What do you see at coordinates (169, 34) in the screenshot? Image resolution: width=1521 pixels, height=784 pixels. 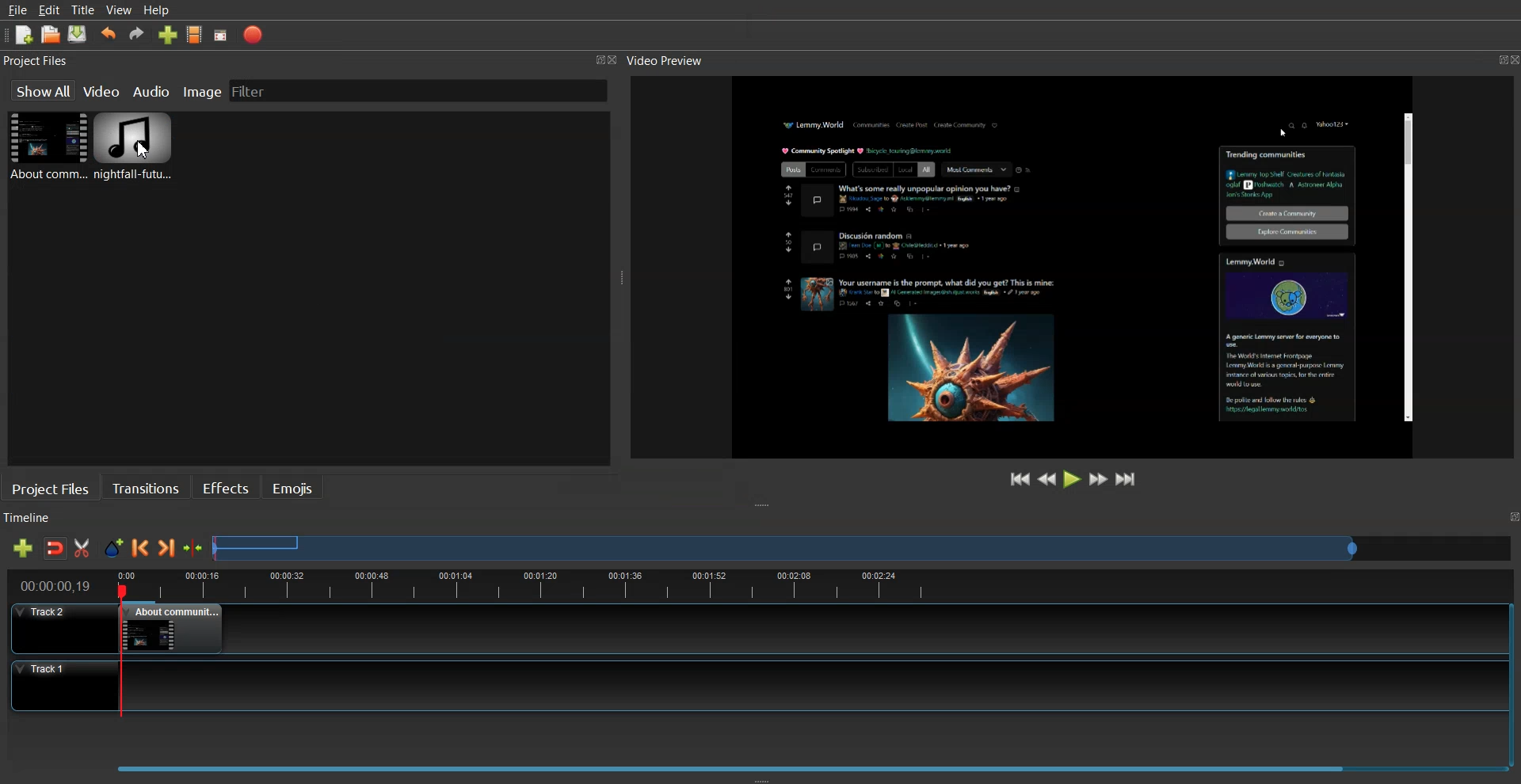 I see `Import file` at bounding box center [169, 34].